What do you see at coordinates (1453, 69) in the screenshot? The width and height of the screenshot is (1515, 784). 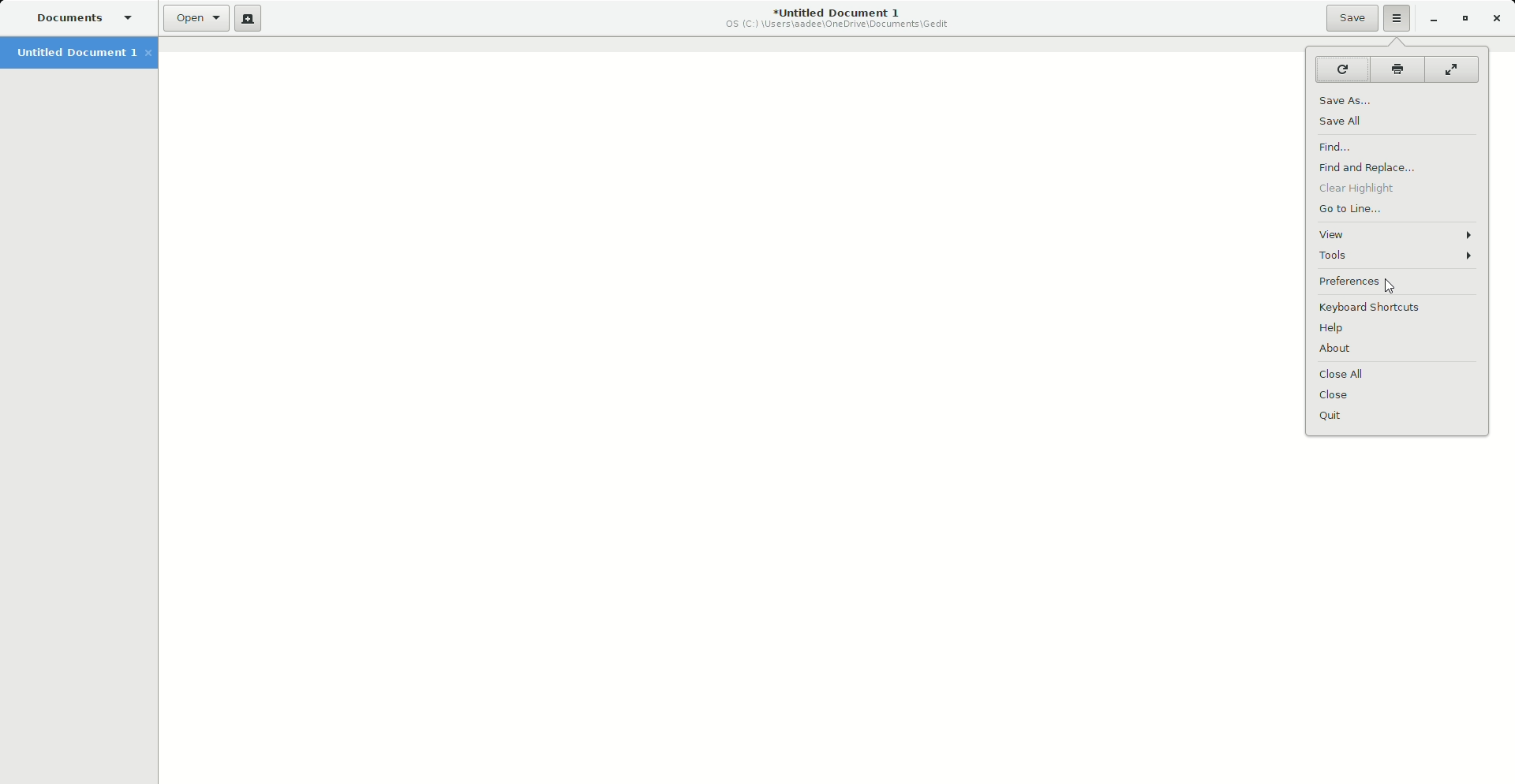 I see `Fullscreen` at bounding box center [1453, 69].